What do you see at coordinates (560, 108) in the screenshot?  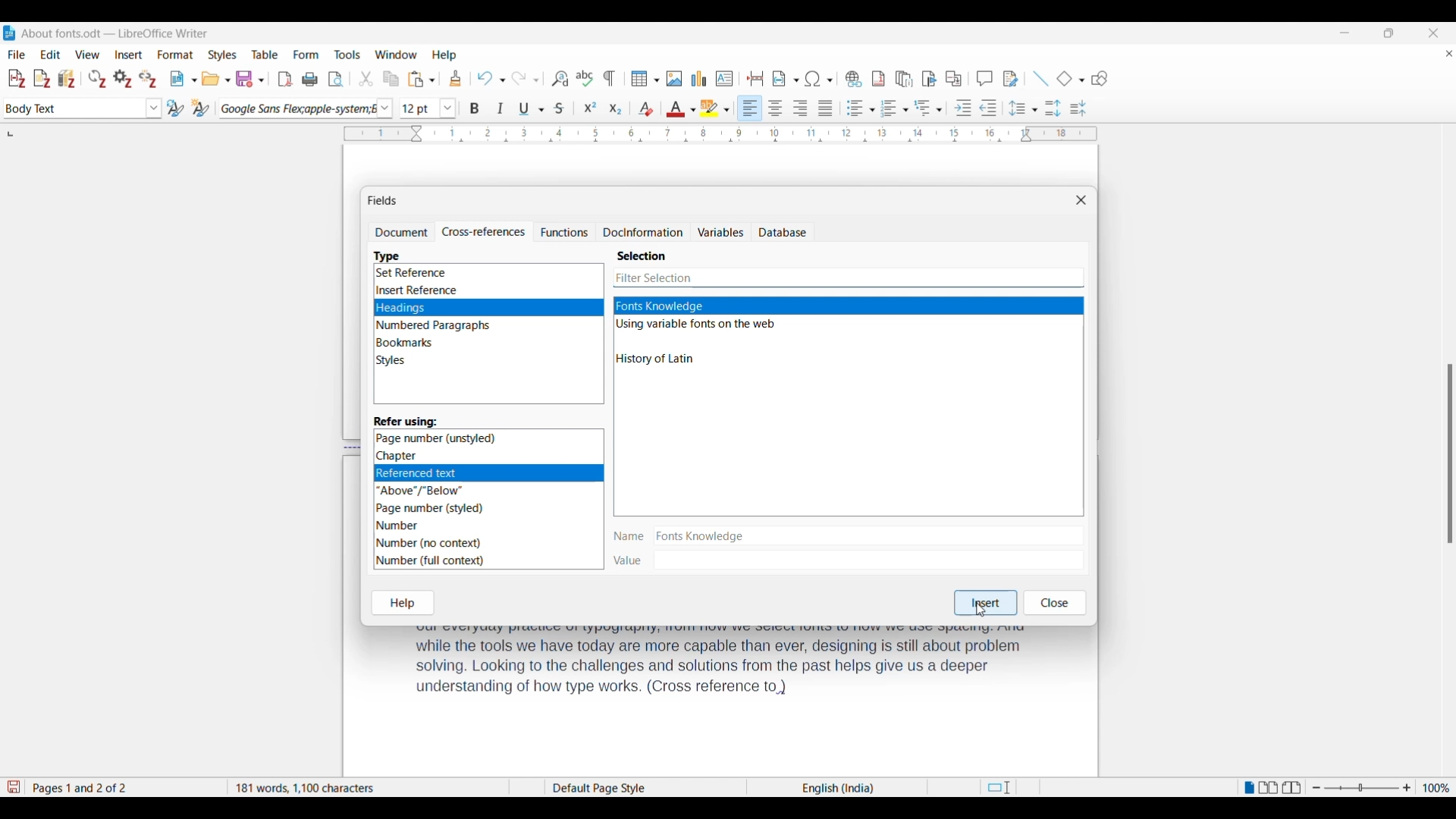 I see `Strike through` at bounding box center [560, 108].